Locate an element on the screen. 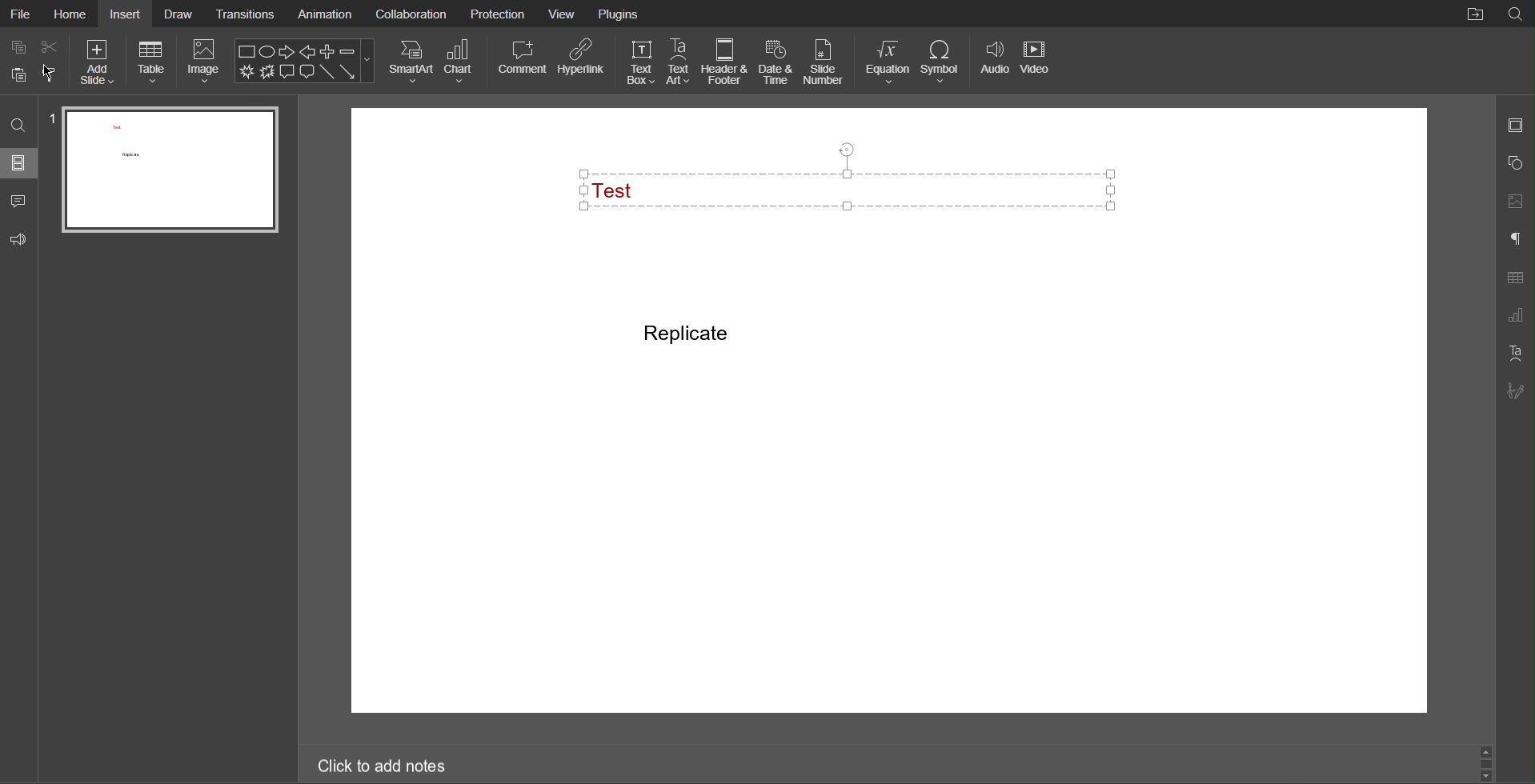 This screenshot has height=784, width=1535. Slides is located at coordinates (21, 165).